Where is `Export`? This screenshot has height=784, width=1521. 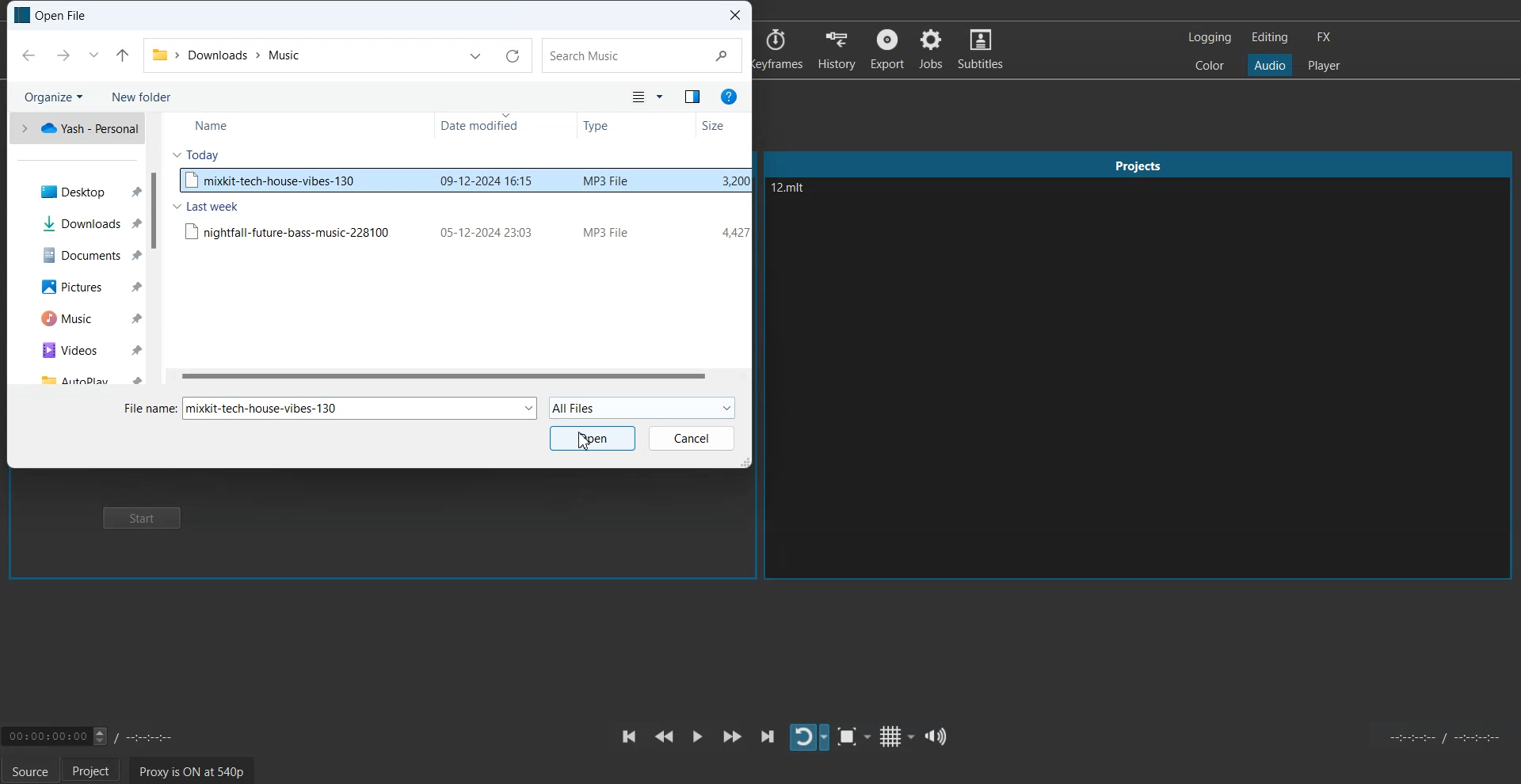
Export is located at coordinates (889, 48).